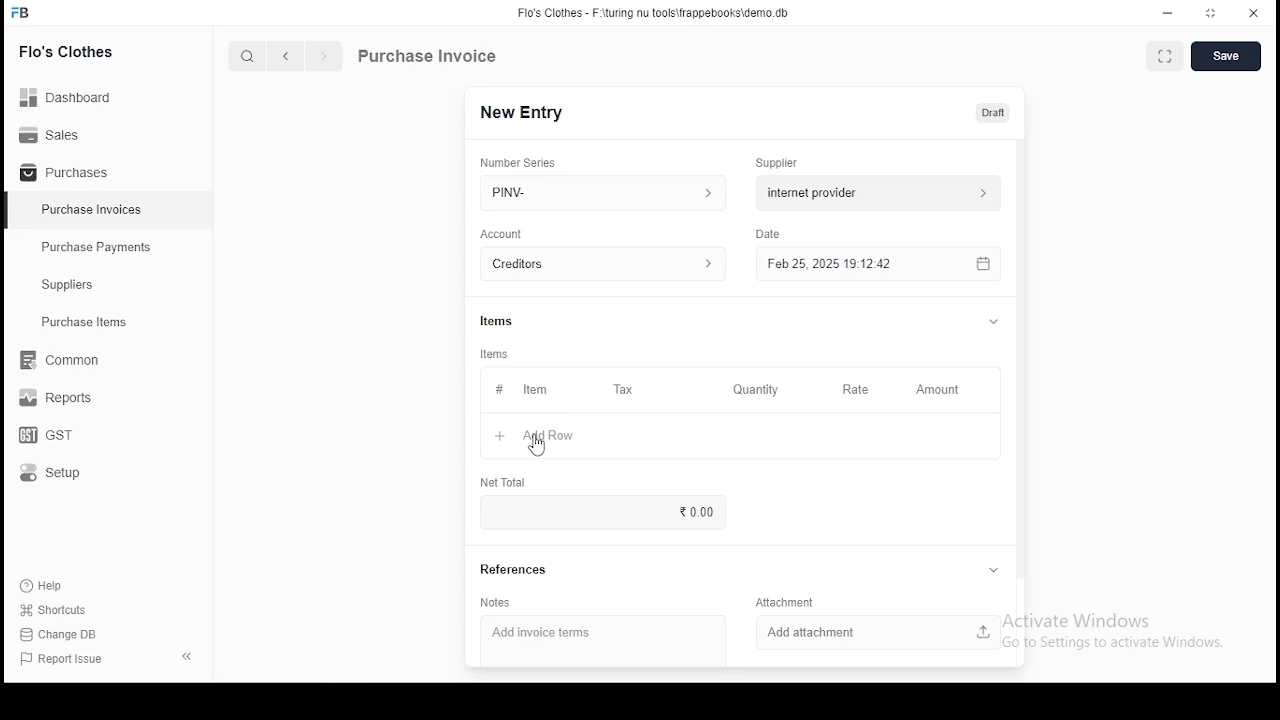 This screenshot has width=1280, height=720. I want to click on new entry, so click(520, 112).